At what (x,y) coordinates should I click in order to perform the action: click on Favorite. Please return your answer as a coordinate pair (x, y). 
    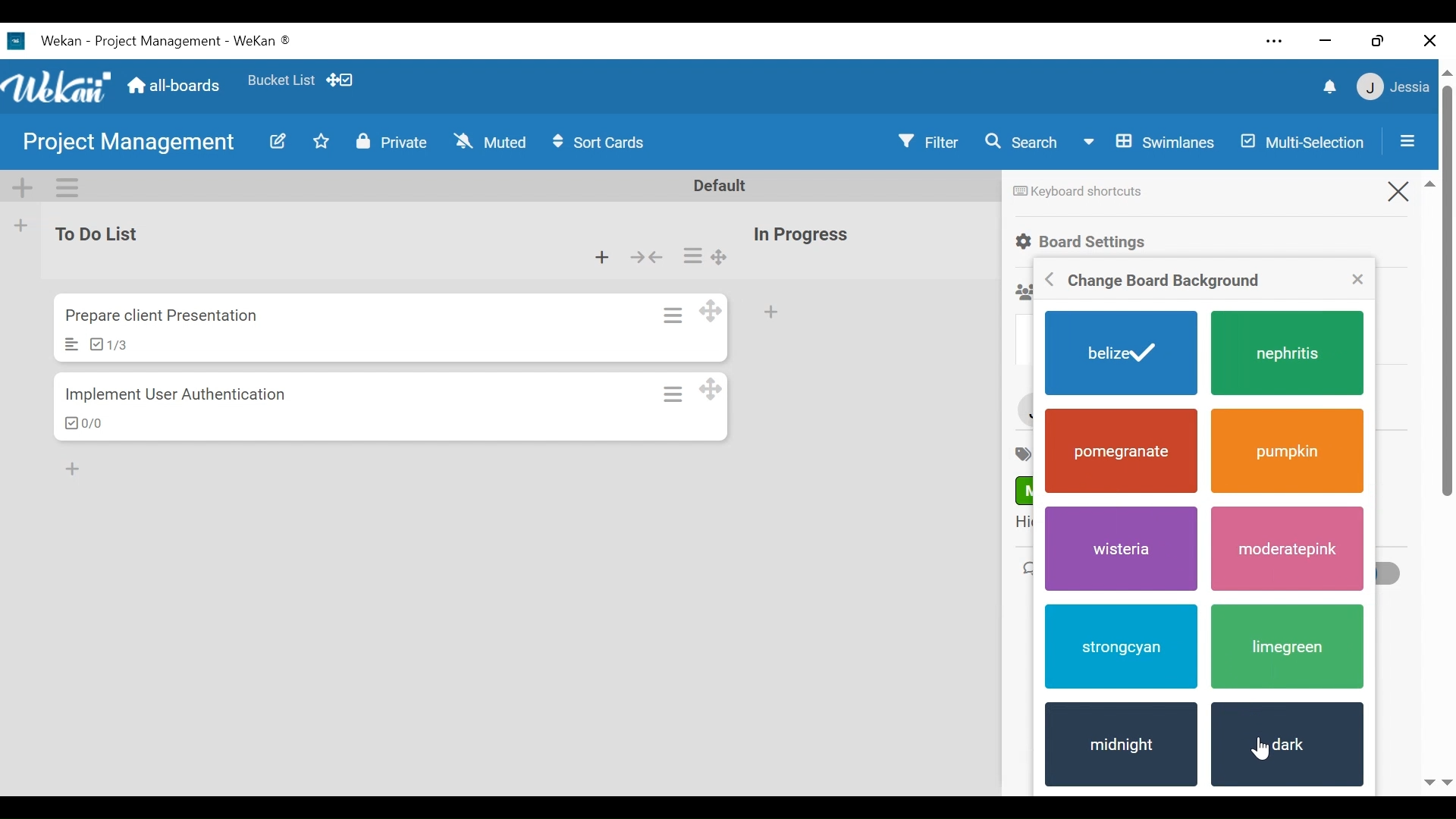
    Looking at the image, I should click on (281, 81).